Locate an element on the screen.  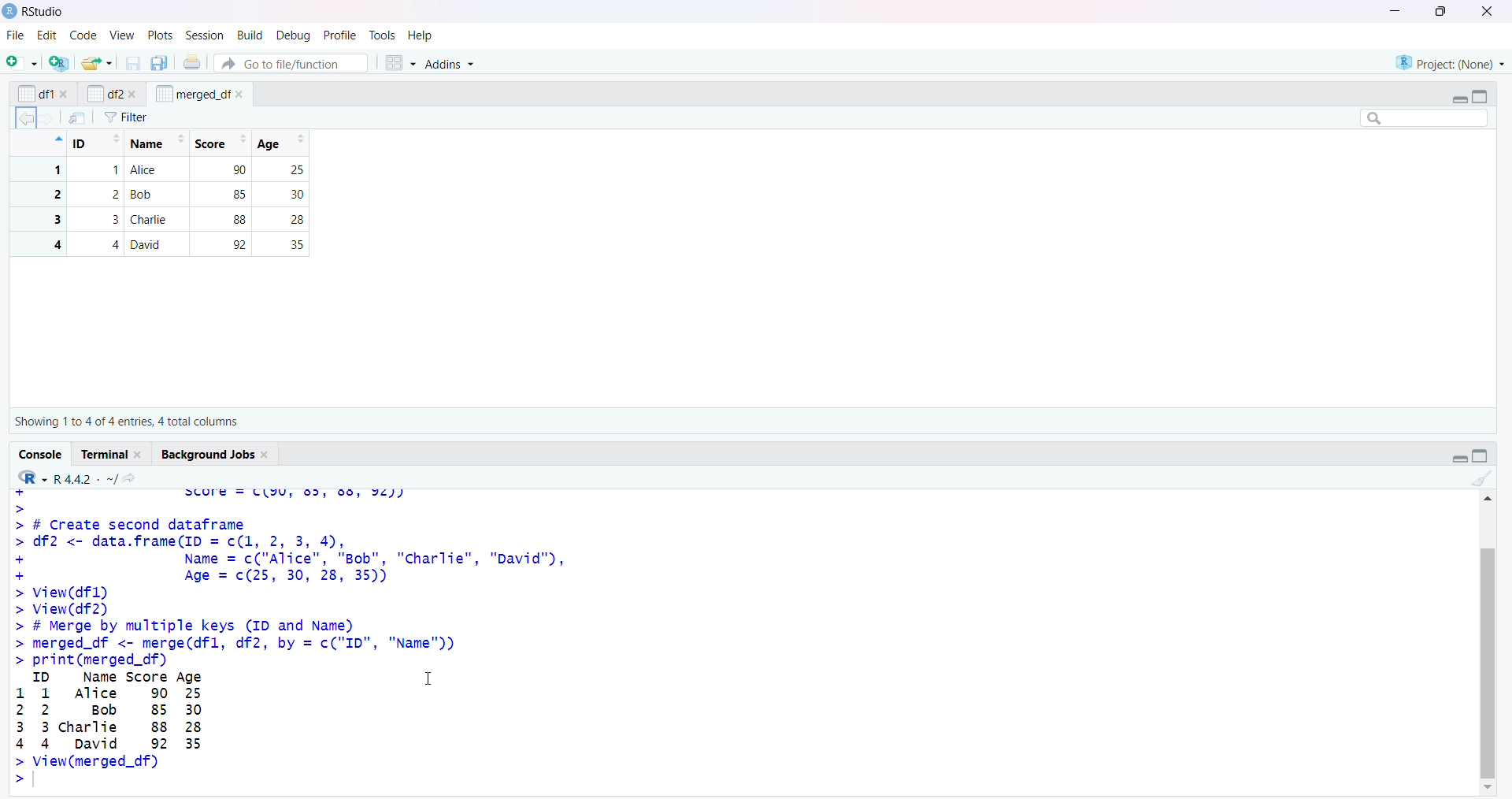
Collapse/expand  is located at coordinates (1458, 100).